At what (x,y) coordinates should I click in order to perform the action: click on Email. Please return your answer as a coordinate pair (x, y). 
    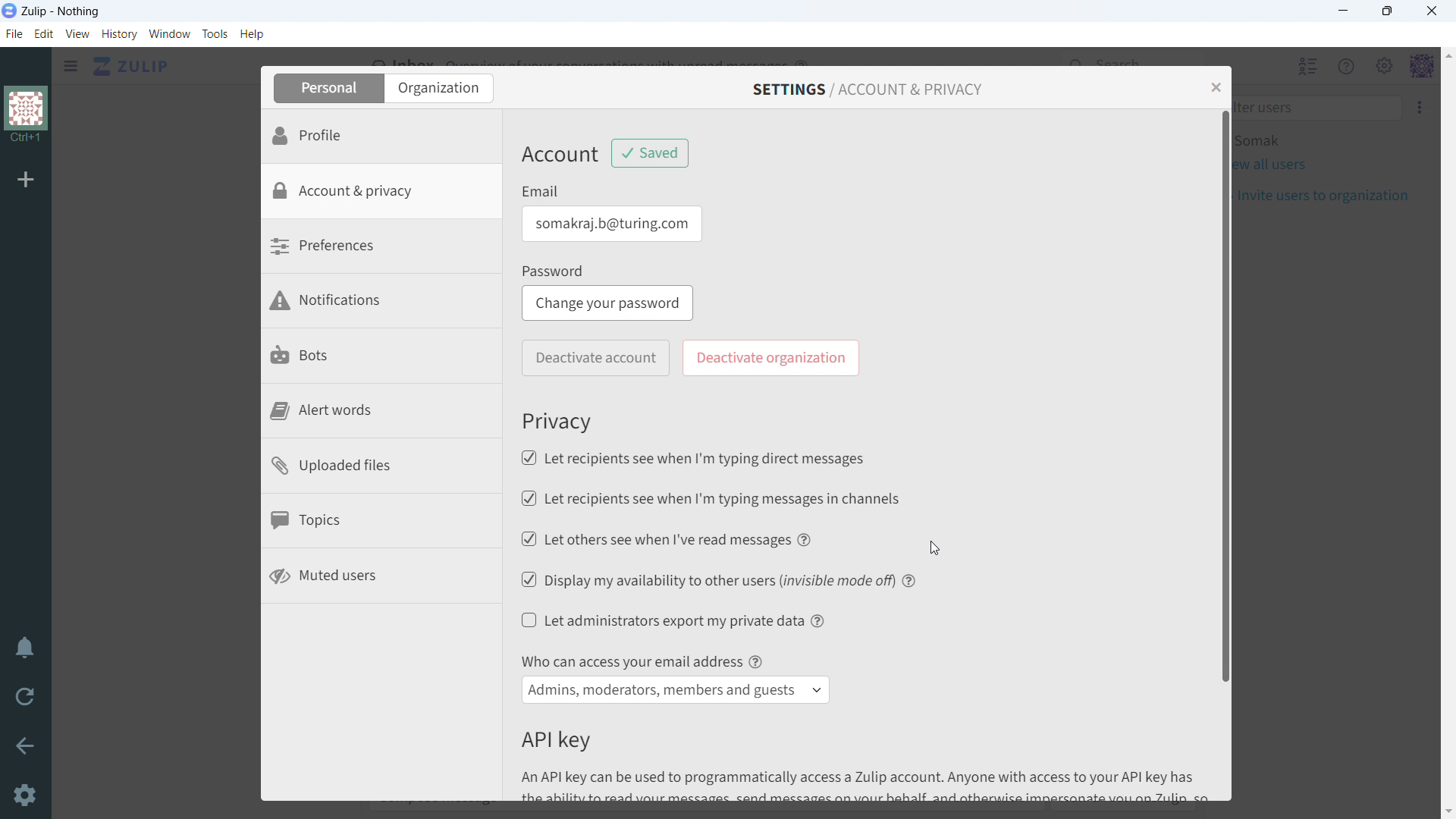
    Looking at the image, I should click on (538, 191).